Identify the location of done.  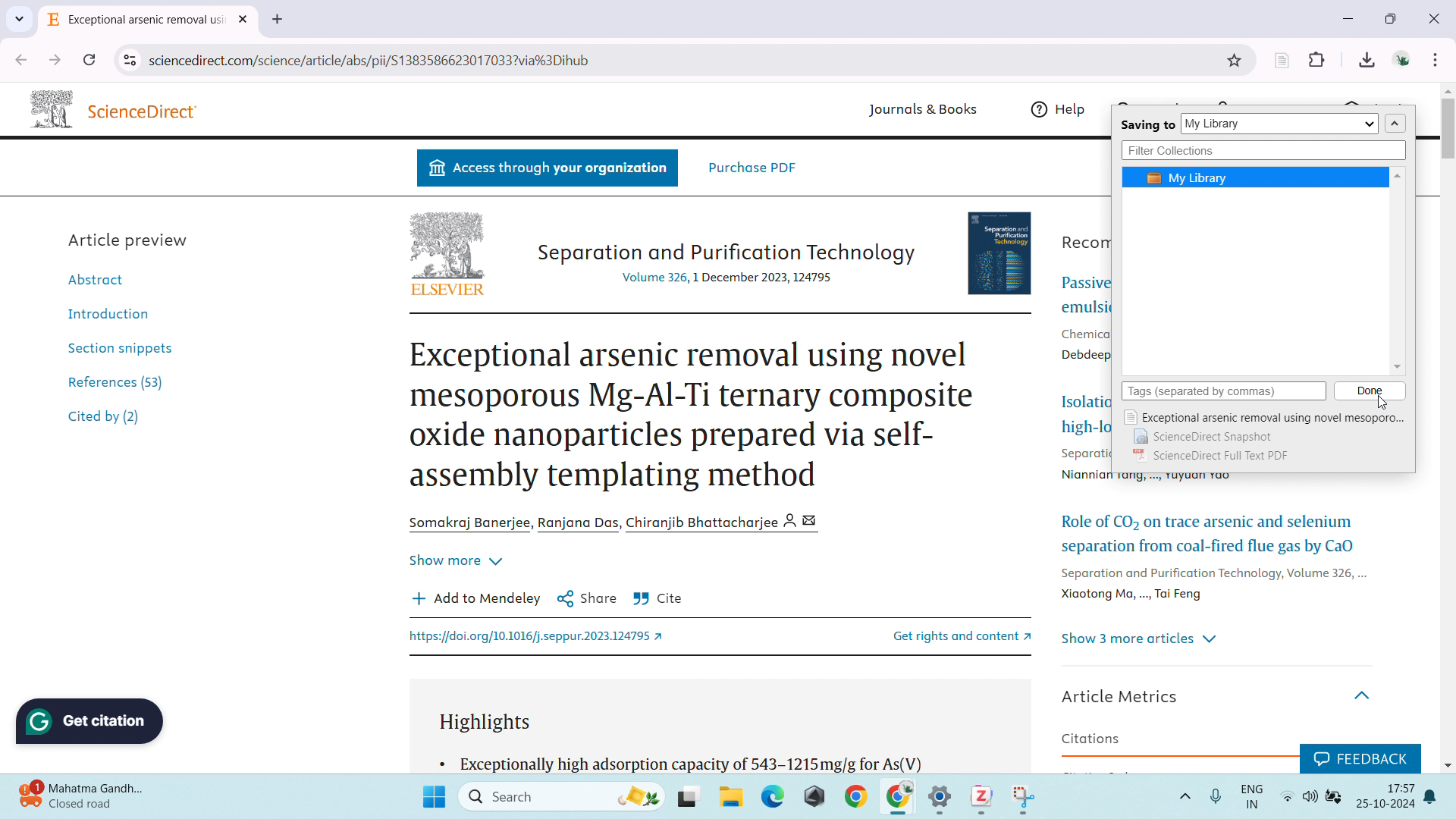
(1370, 391).